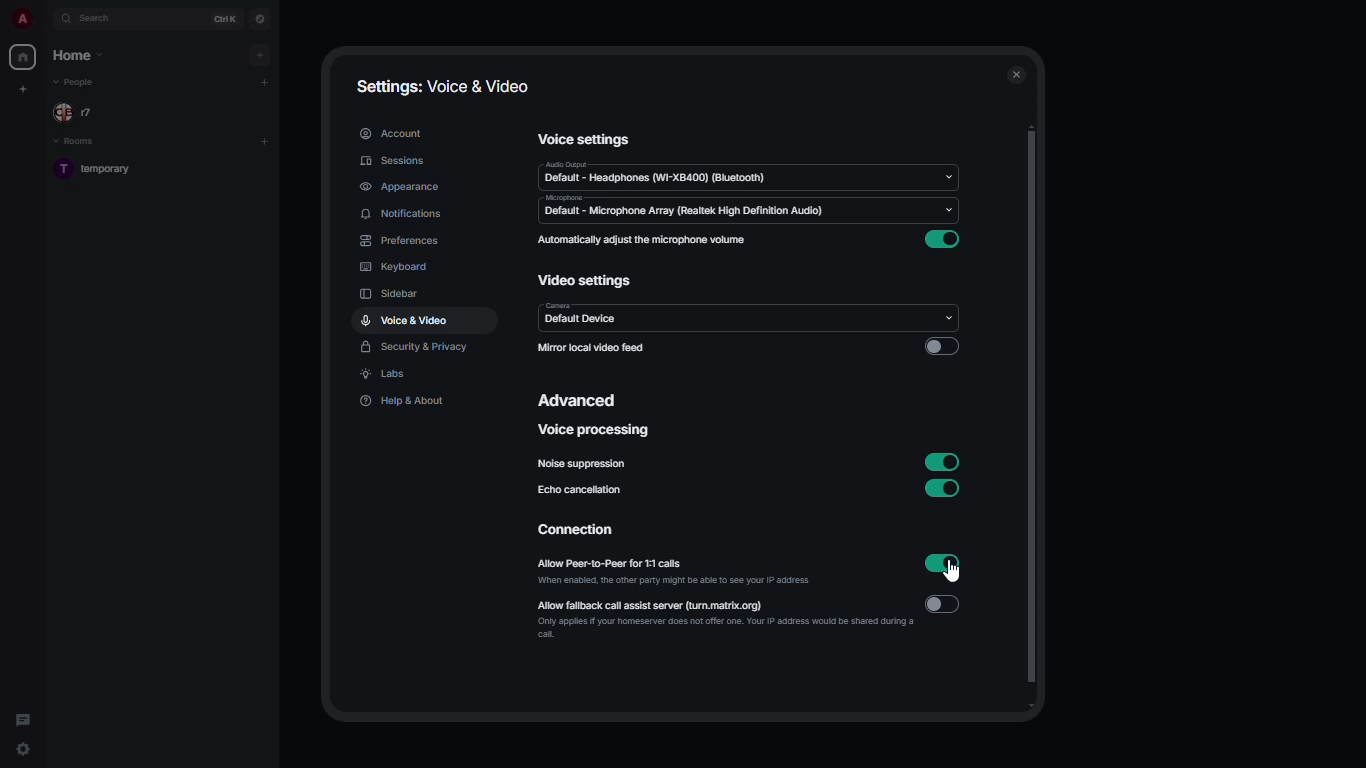 Image resolution: width=1366 pixels, height=768 pixels. I want to click on allow fallback call assist server, so click(725, 621).